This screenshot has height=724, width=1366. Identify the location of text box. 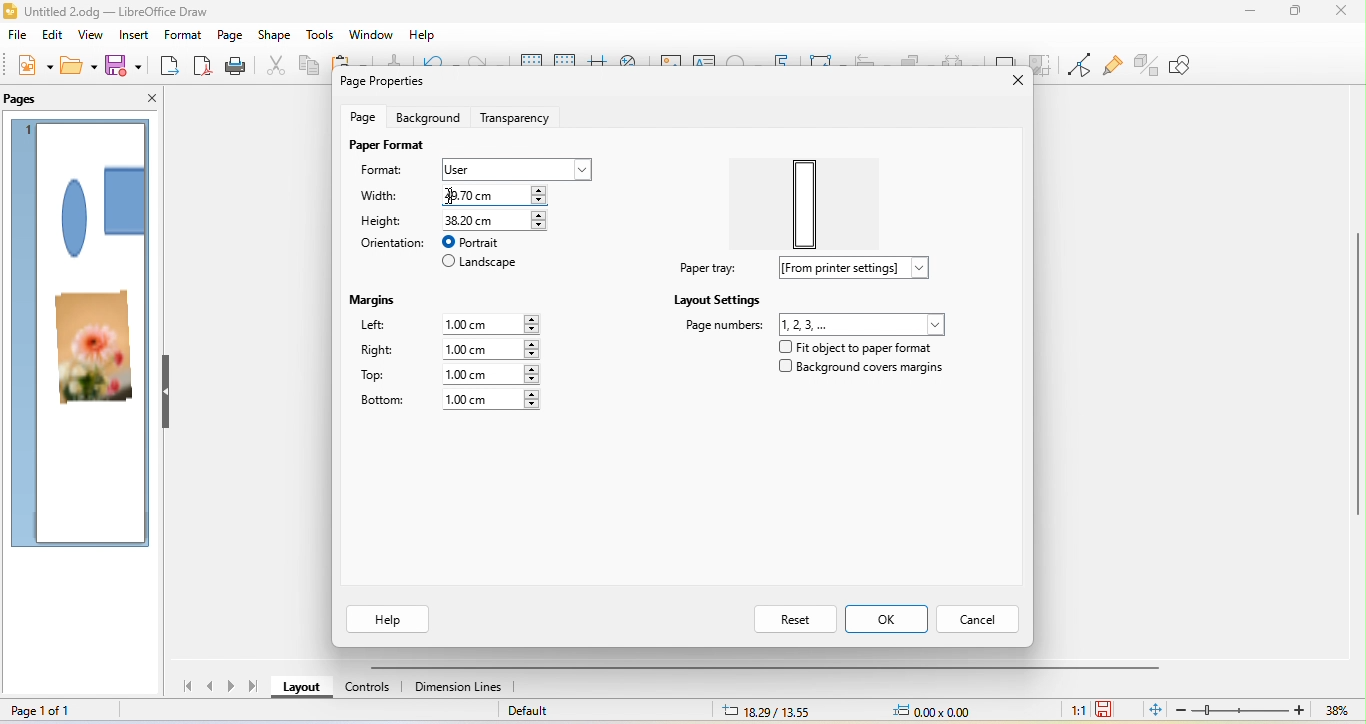
(707, 63).